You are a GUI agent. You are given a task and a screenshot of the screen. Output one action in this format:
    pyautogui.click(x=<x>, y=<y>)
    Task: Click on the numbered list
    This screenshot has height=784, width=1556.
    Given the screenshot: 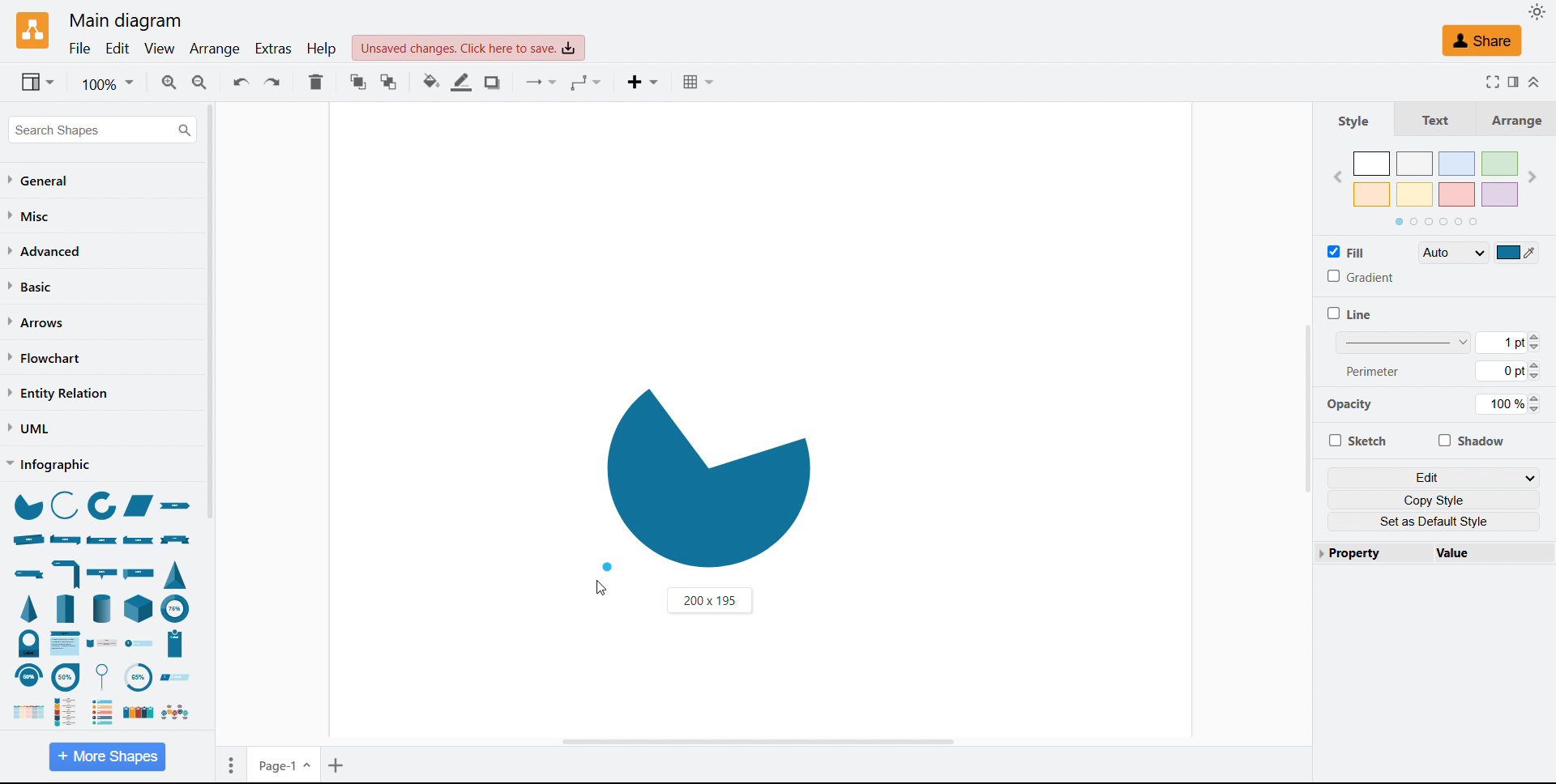 What is the action you would take?
    pyautogui.click(x=103, y=711)
    